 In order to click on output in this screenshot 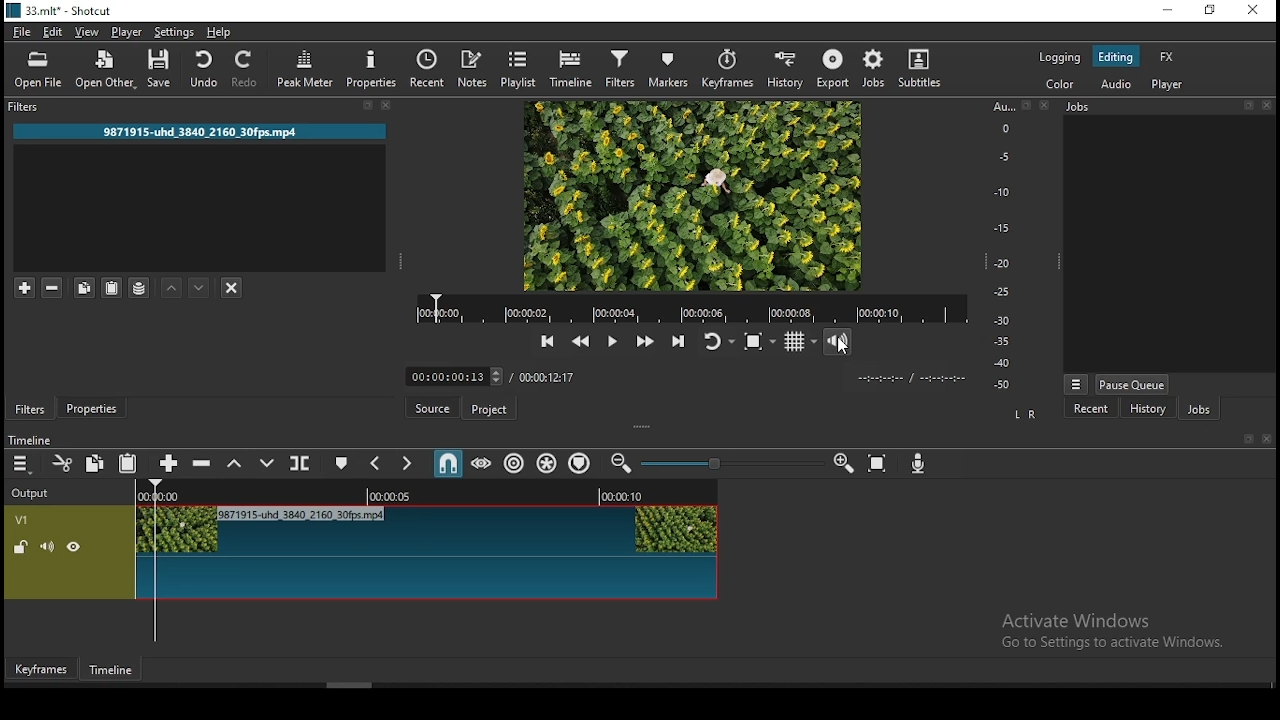, I will do `click(33, 495)`.